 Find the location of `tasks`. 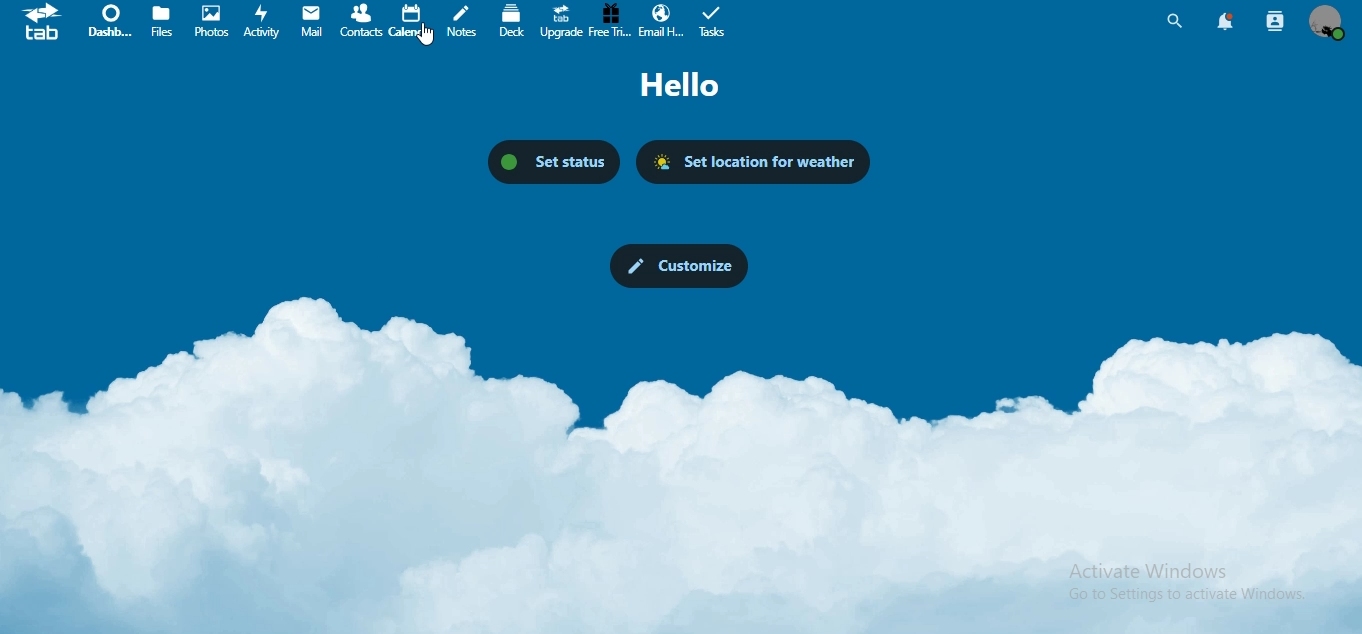

tasks is located at coordinates (716, 22).